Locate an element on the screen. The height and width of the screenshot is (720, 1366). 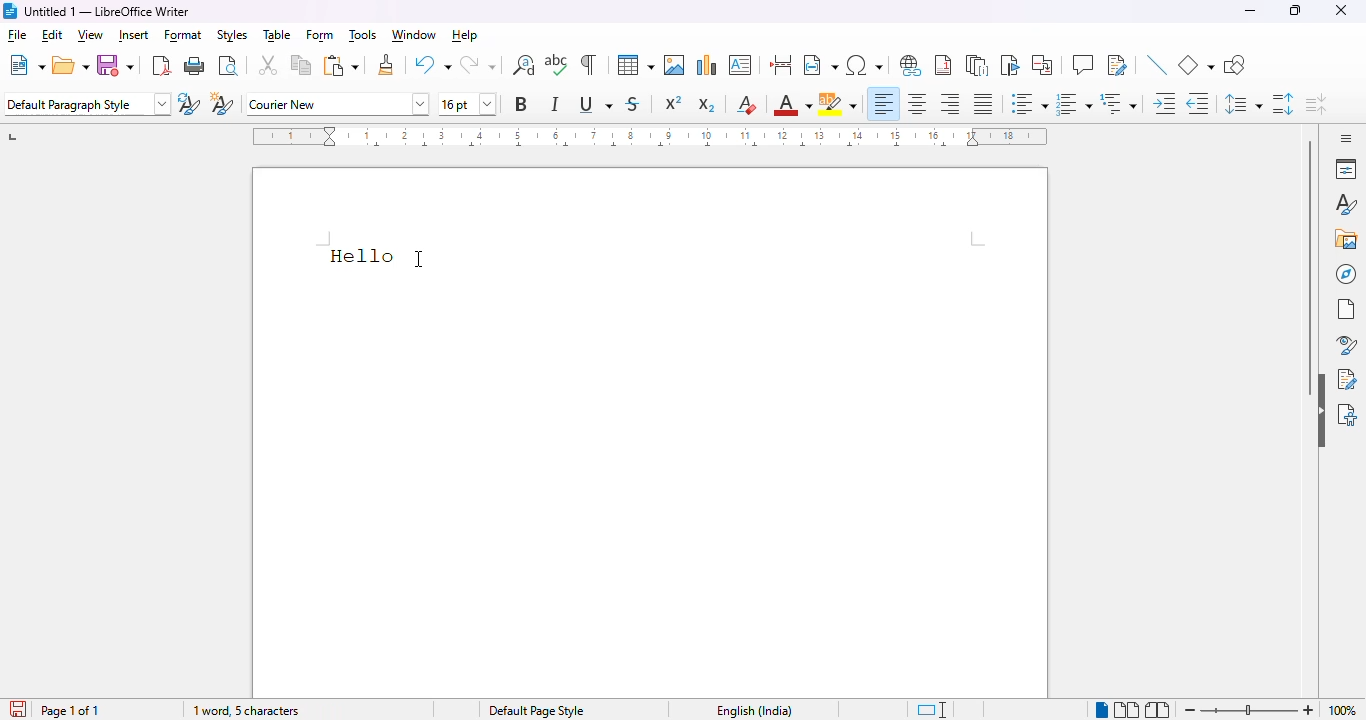
default page style is located at coordinates (538, 711).